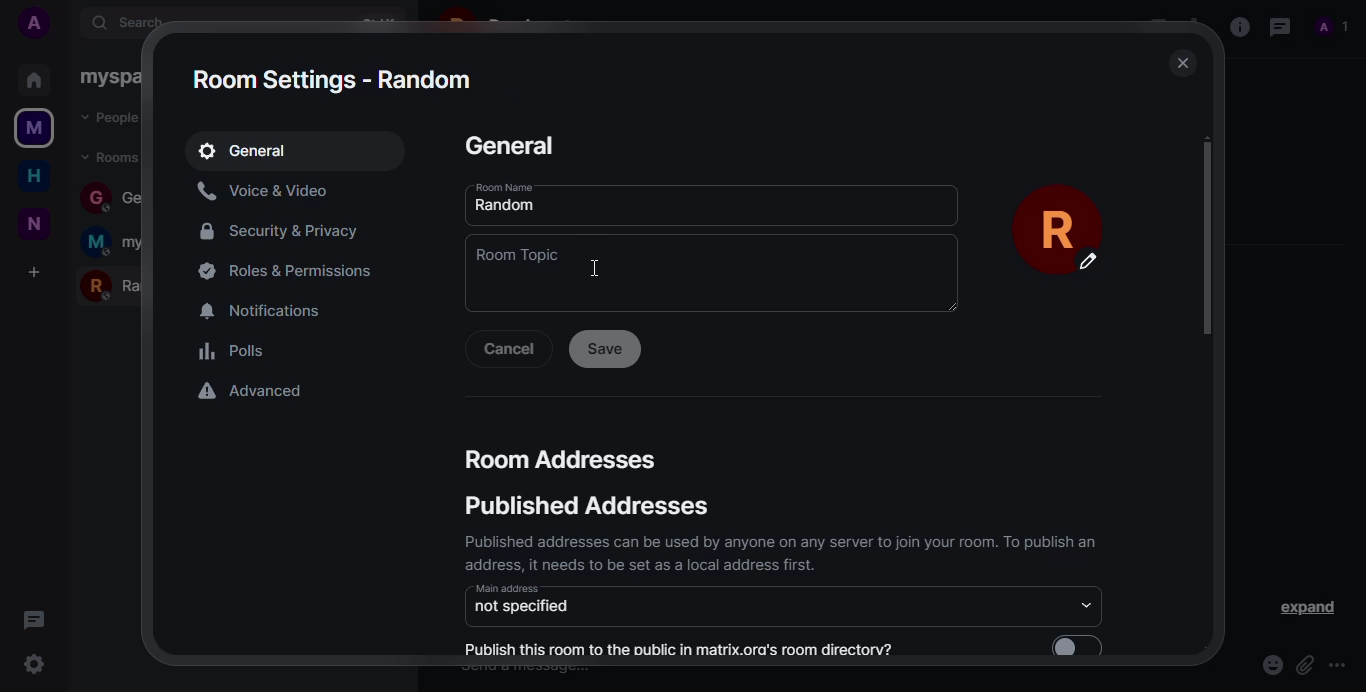 The height and width of the screenshot is (692, 1366). Describe the element at coordinates (1240, 27) in the screenshot. I see `info` at that location.